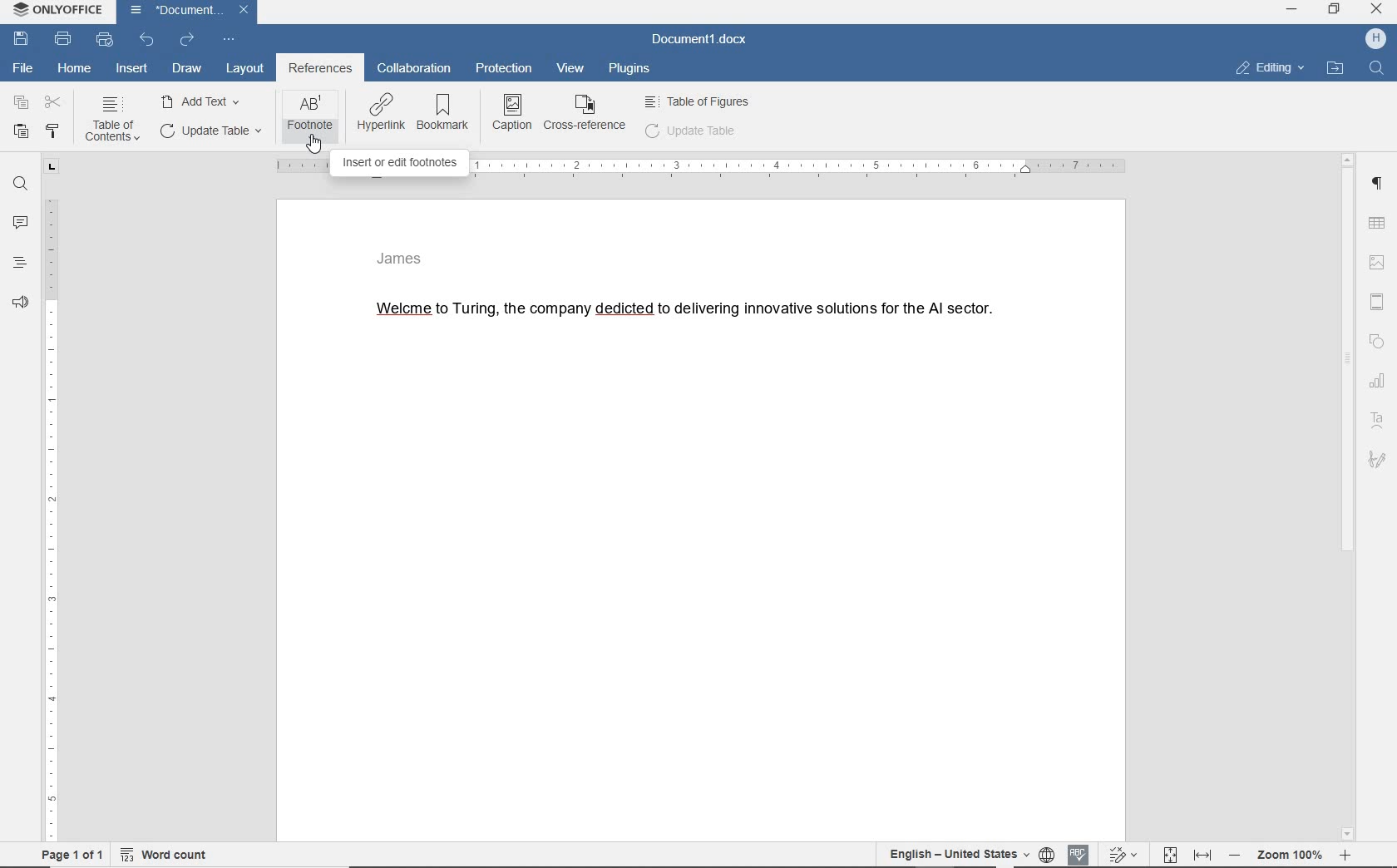 The height and width of the screenshot is (868, 1397). I want to click on print, so click(64, 40).